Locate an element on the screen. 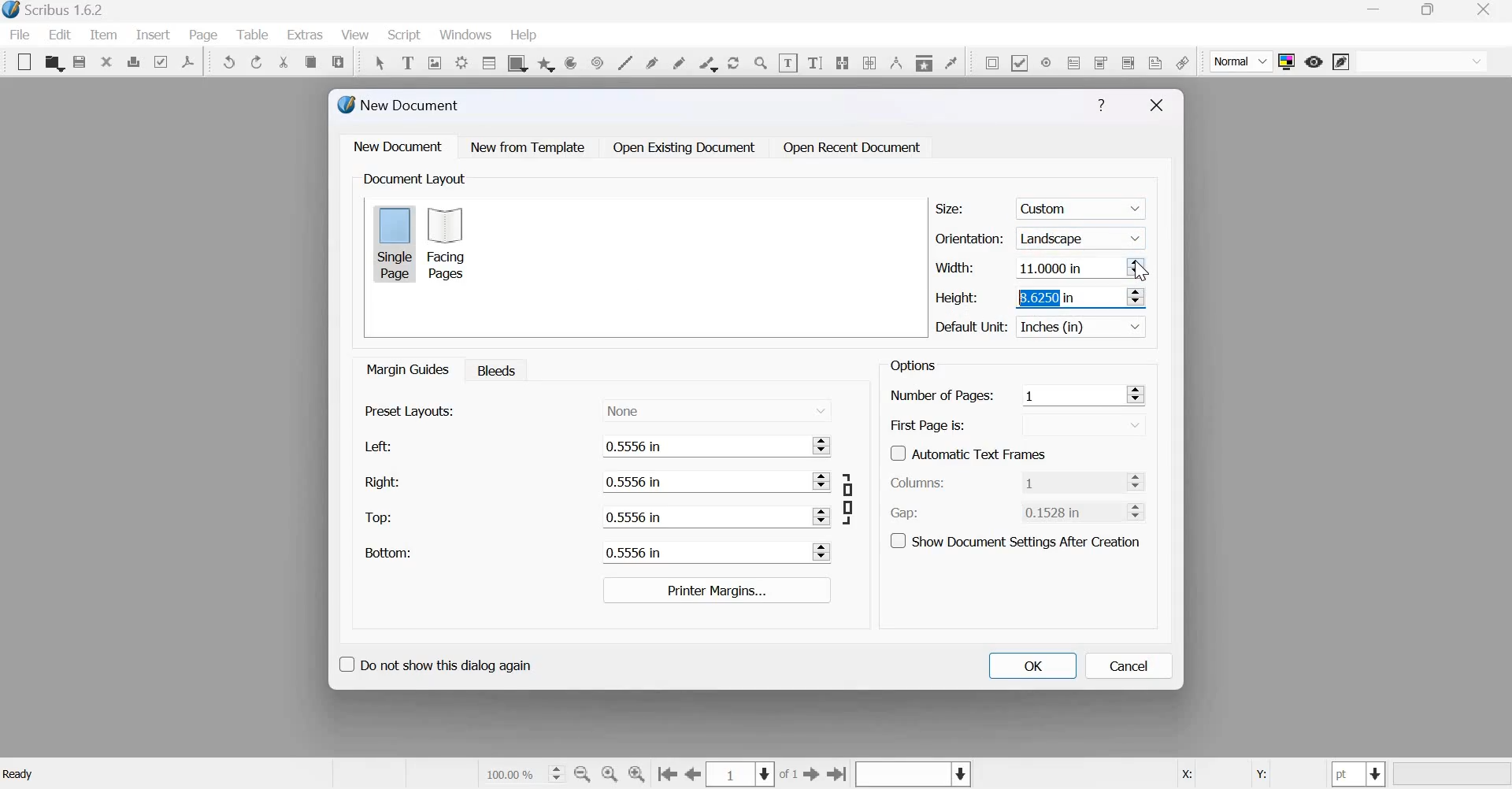 The image size is (1512, 789). unlink text frames is located at coordinates (869, 61).